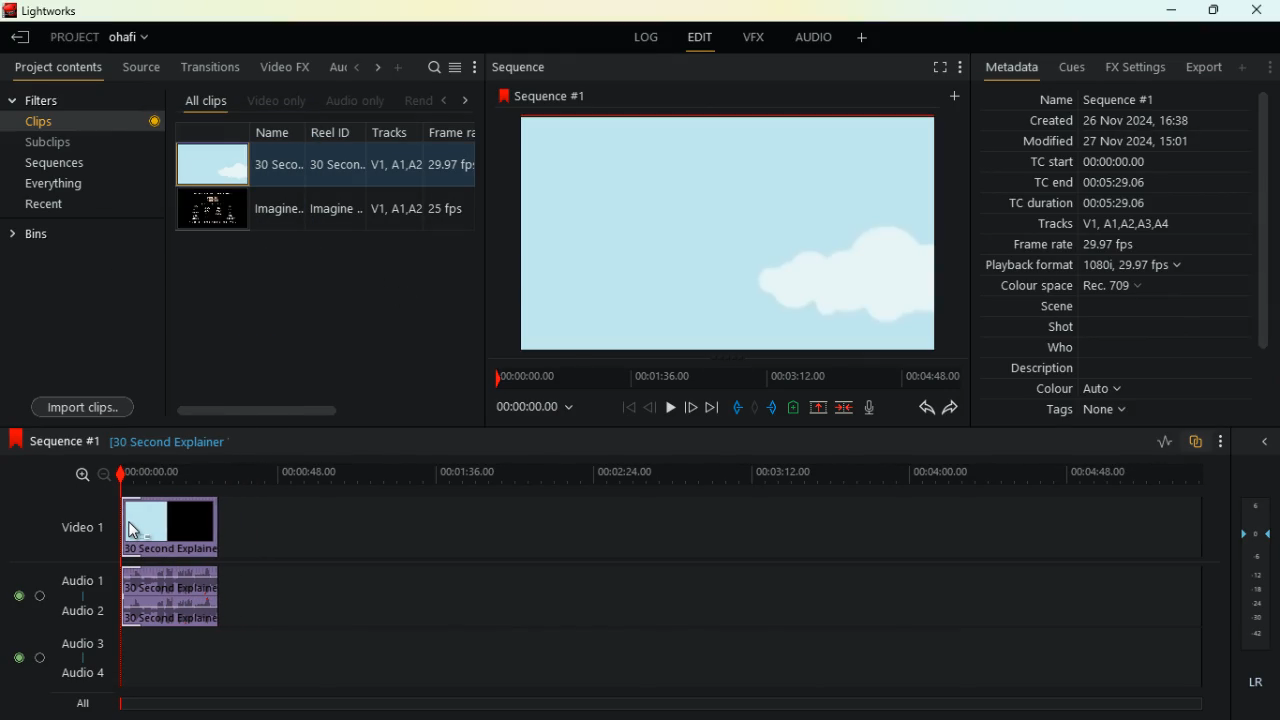  What do you see at coordinates (456, 69) in the screenshot?
I see `menu` at bounding box center [456, 69].